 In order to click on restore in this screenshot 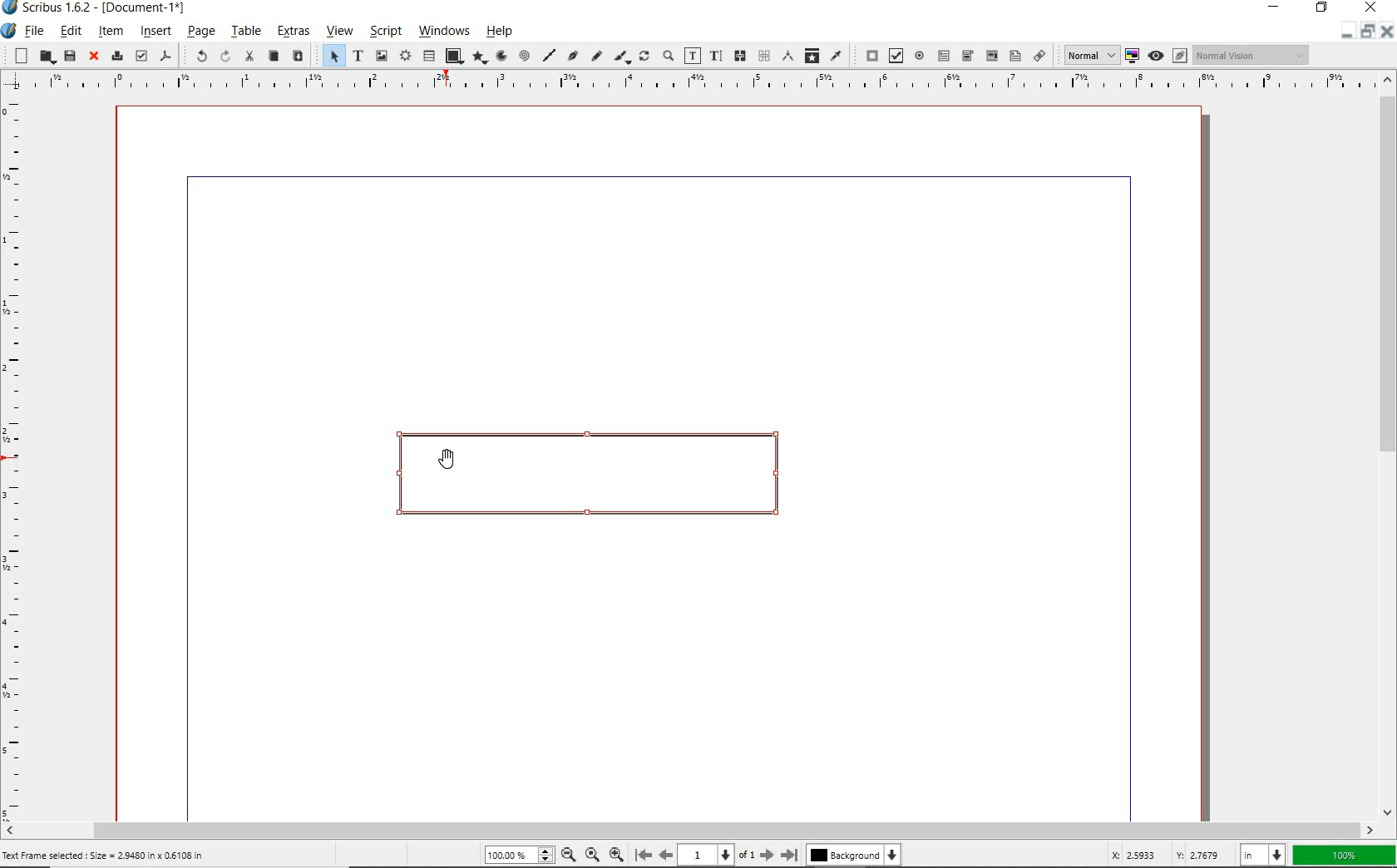, I will do `click(1324, 9)`.